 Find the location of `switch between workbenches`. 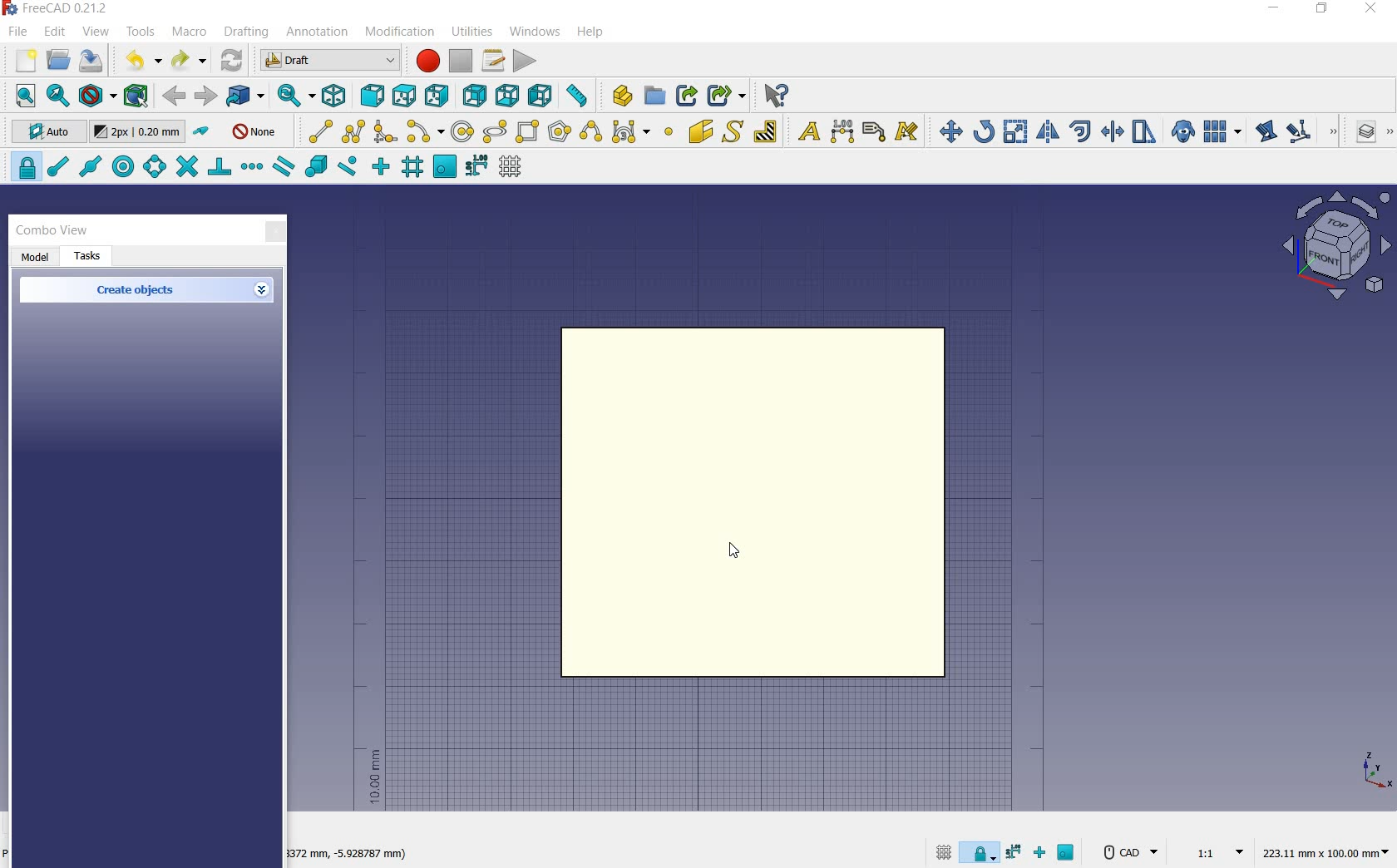

switch between workbenches is located at coordinates (330, 61).